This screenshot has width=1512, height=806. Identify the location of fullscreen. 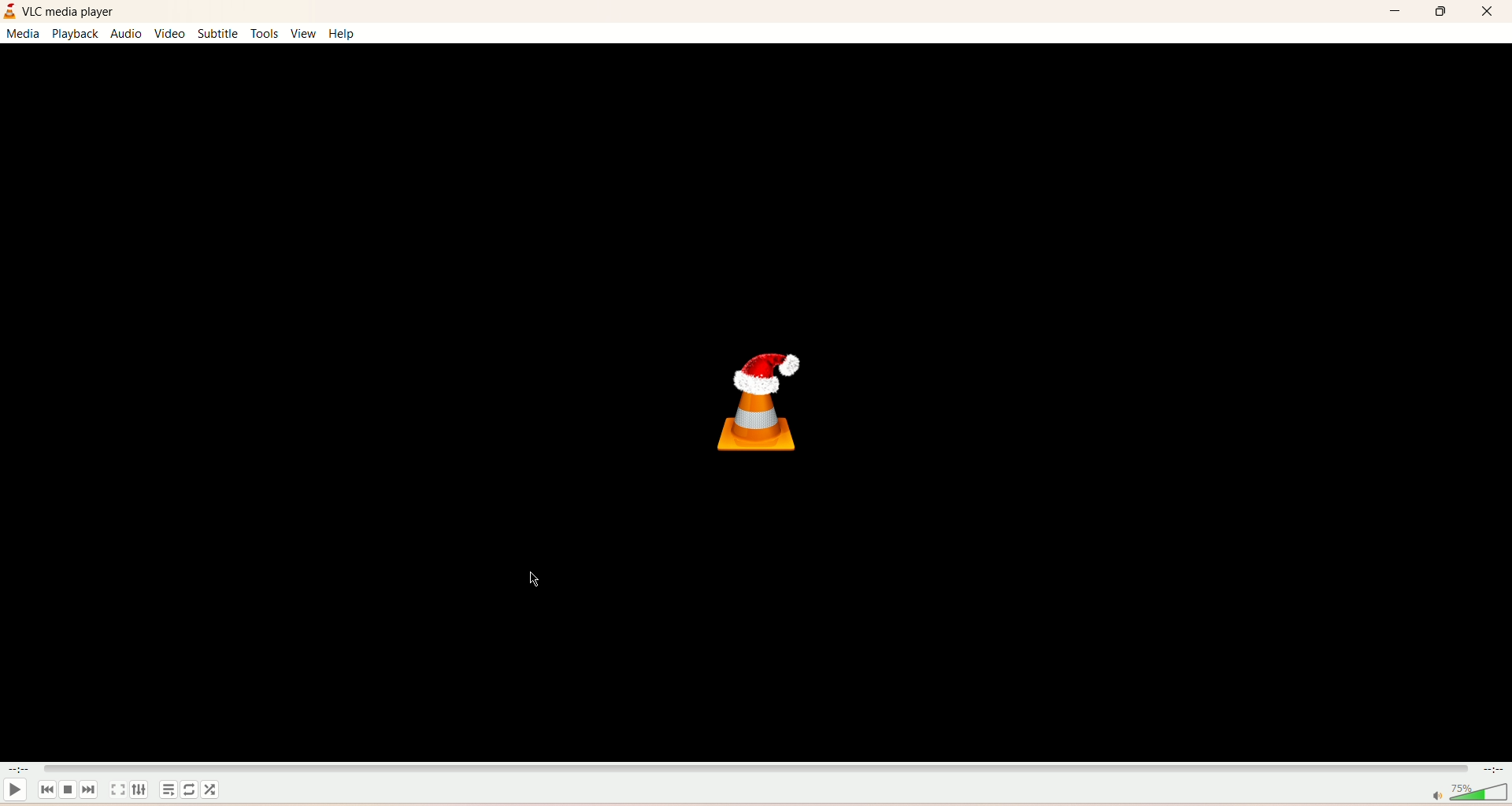
(118, 790).